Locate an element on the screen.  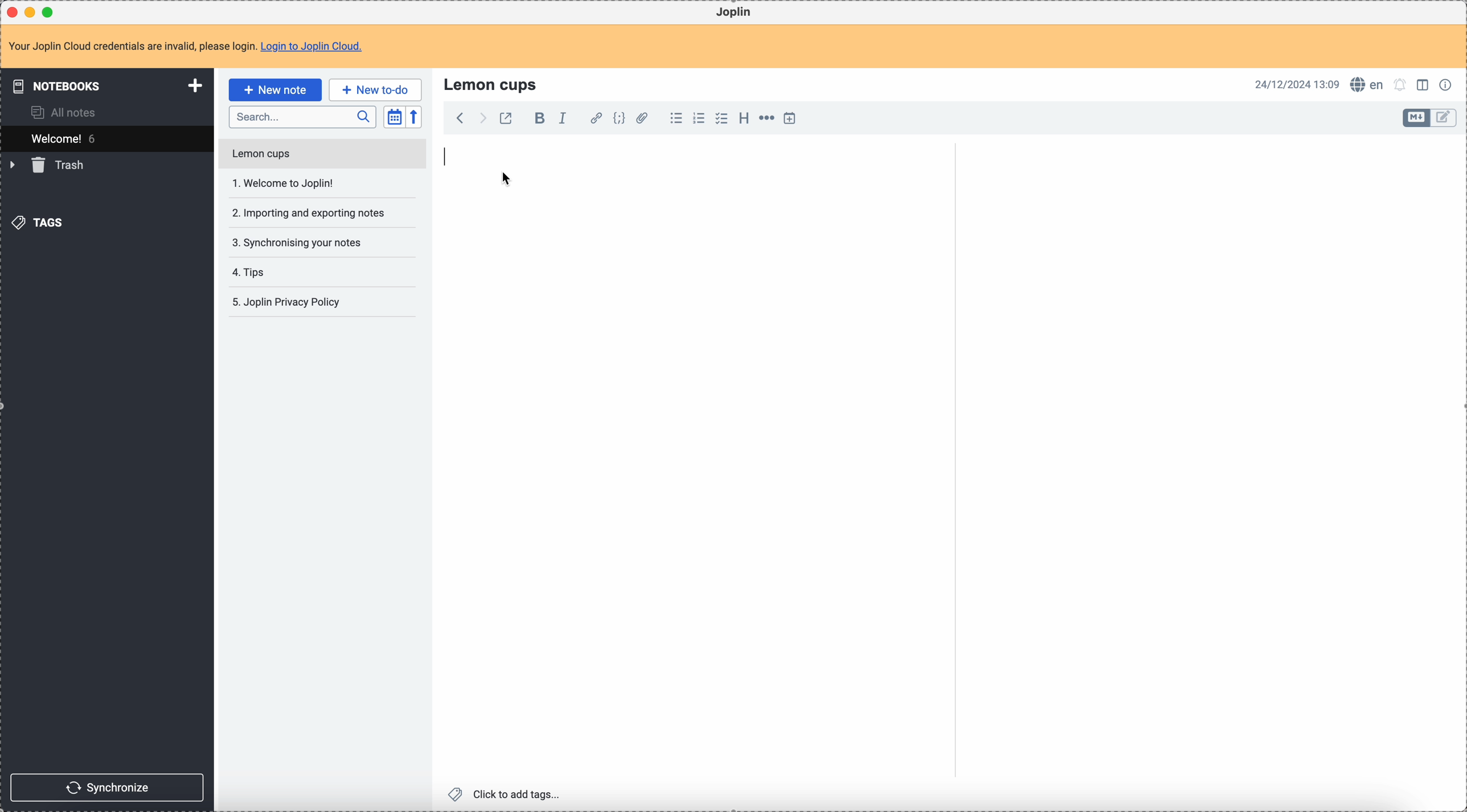
maximize is located at coordinates (51, 11).